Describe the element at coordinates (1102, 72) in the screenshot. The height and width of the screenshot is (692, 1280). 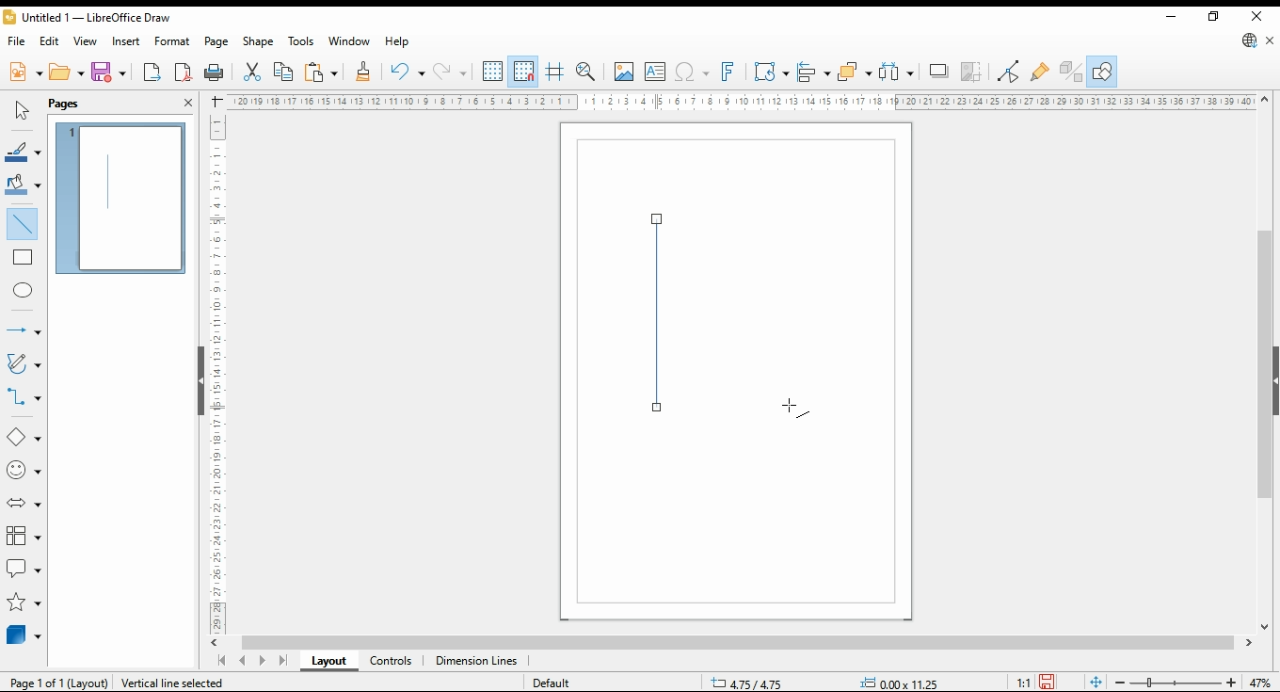
I see `show draw functions` at that location.